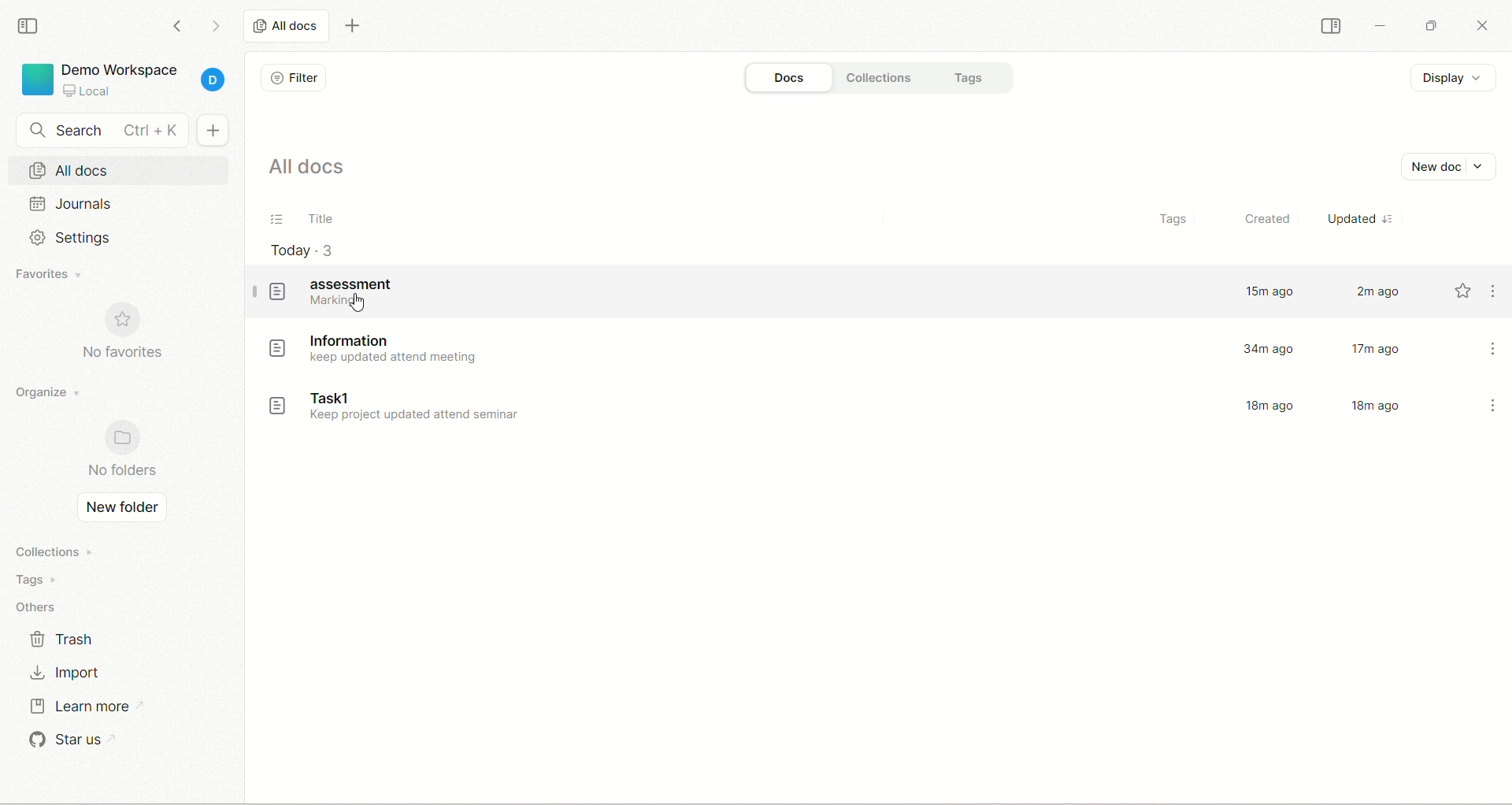 The image size is (1512, 805). What do you see at coordinates (211, 130) in the screenshot?
I see `new doc` at bounding box center [211, 130].